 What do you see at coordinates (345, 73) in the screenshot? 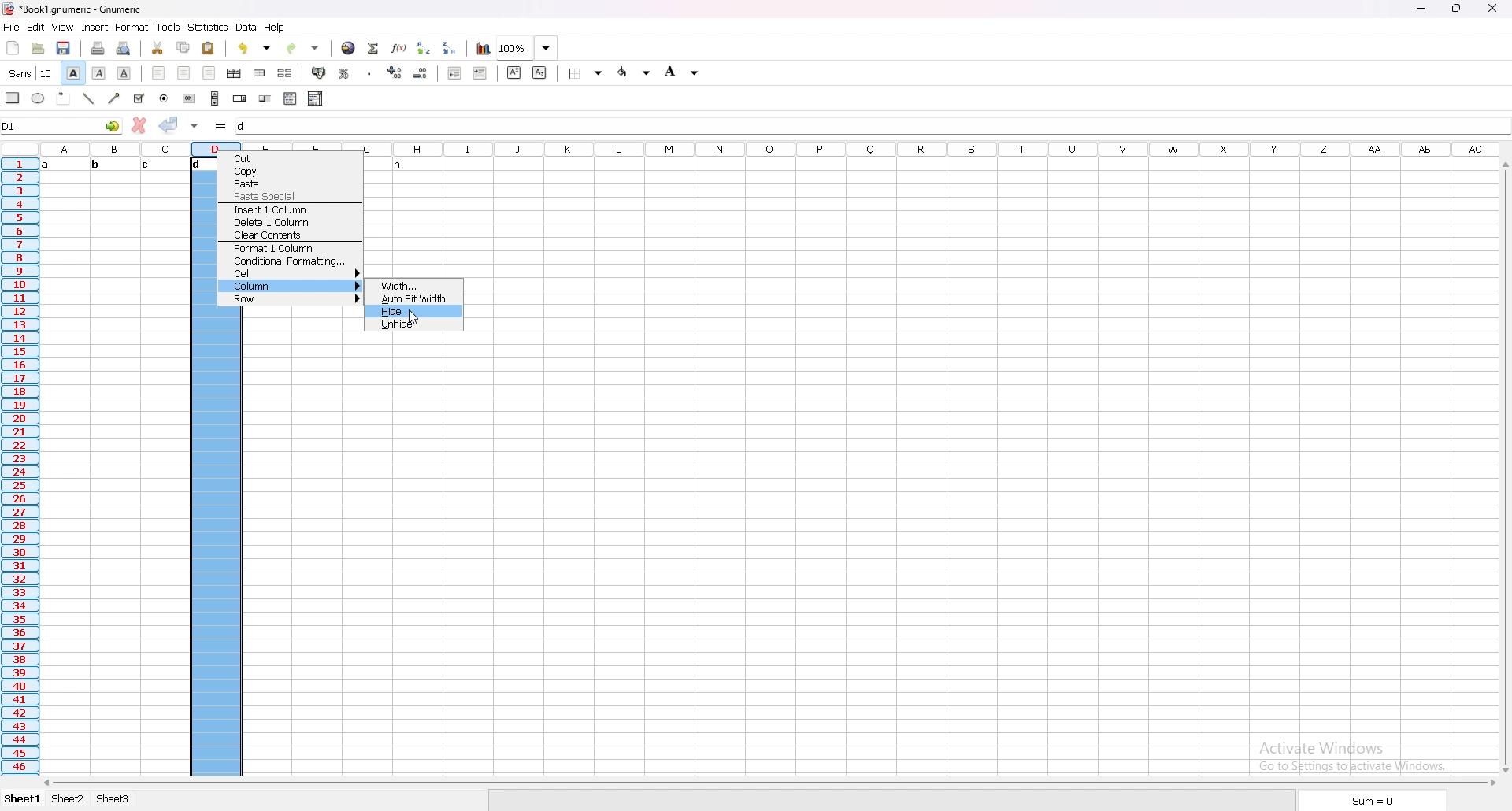
I see `percentage` at bounding box center [345, 73].